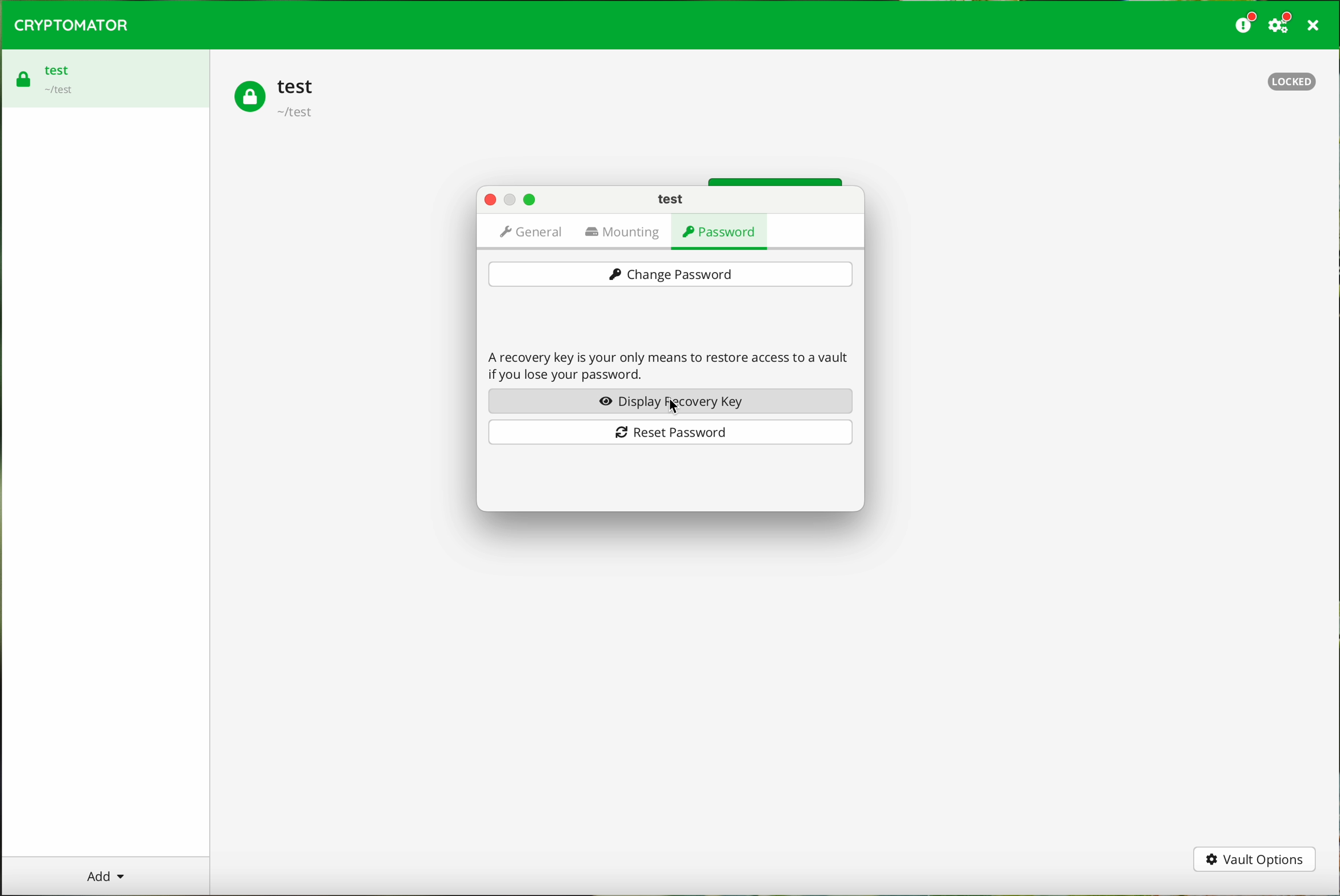 This screenshot has height=896, width=1340. Describe the element at coordinates (1282, 23) in the screenshot. I see `settings` at that location.